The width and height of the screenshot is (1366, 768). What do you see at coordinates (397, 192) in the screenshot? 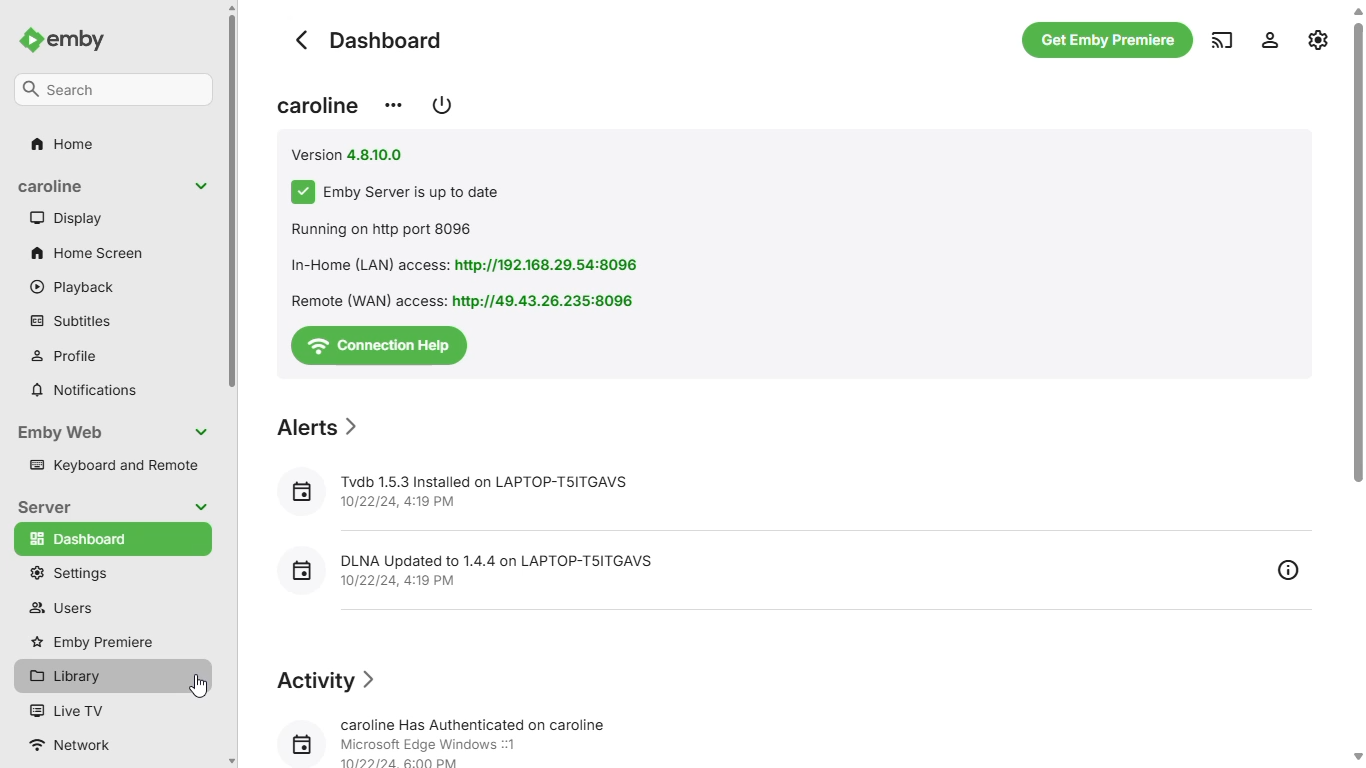
I see `Emby Server is up to date` at bounding box center [397, 192].